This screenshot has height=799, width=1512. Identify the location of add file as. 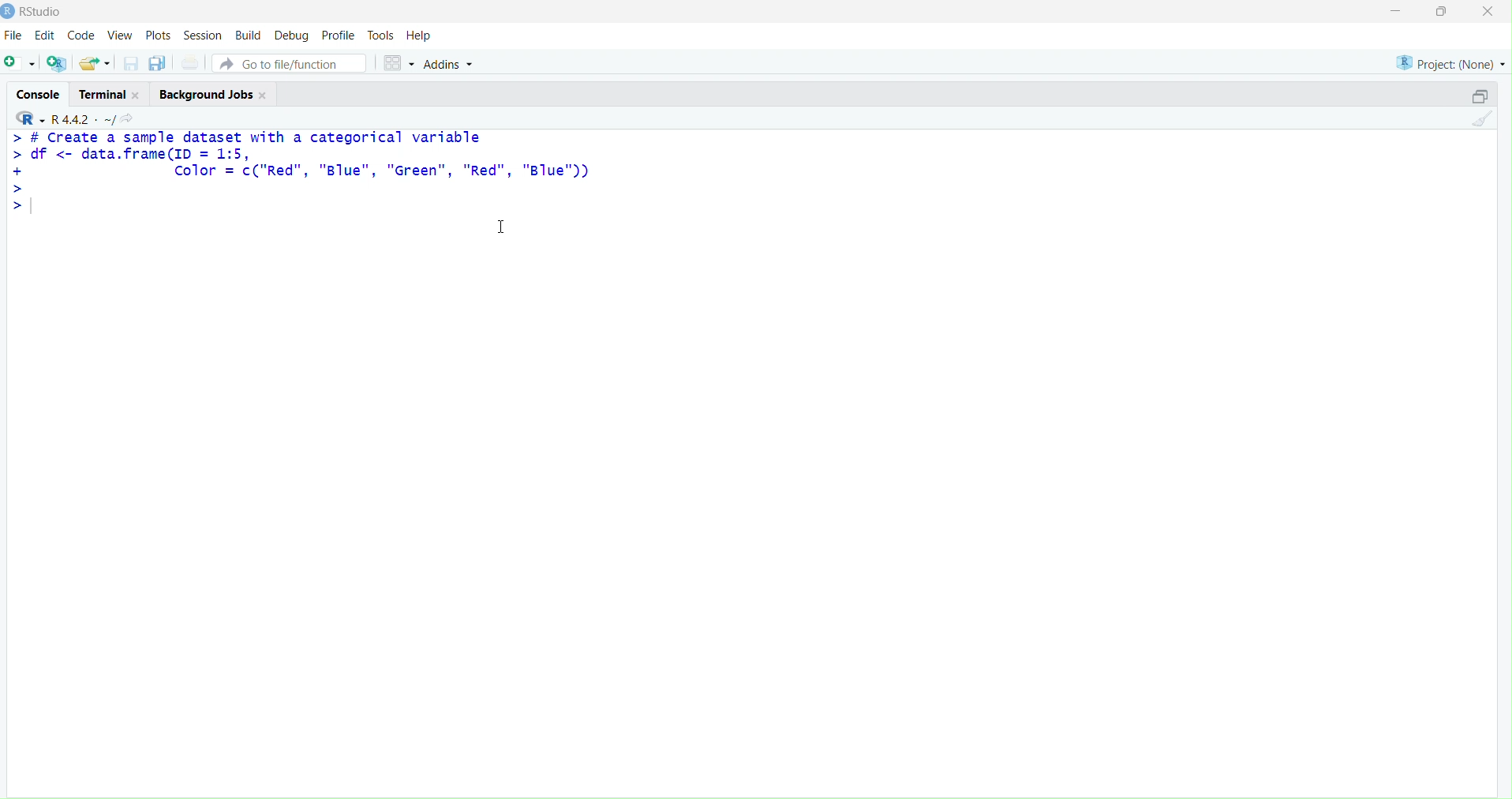
(22, 63).